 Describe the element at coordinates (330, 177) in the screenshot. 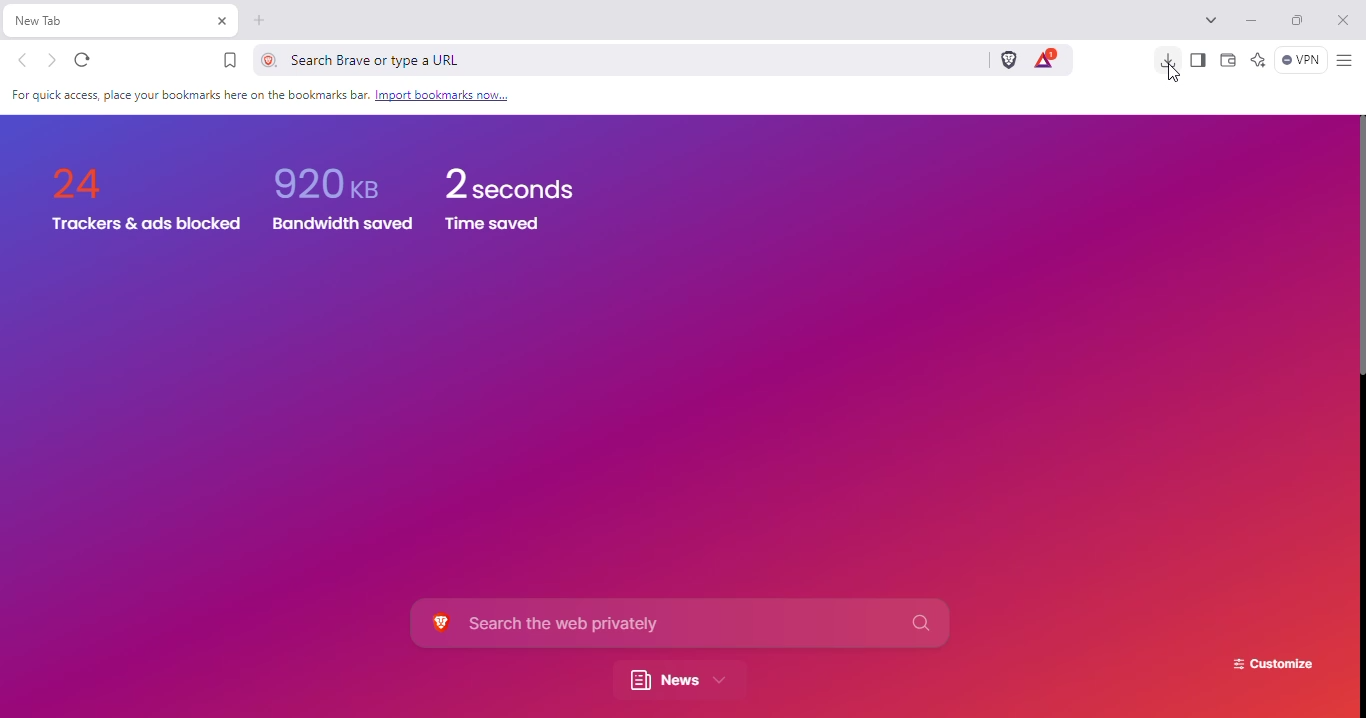

I see `920 KB Bandwidth saved` at that location.